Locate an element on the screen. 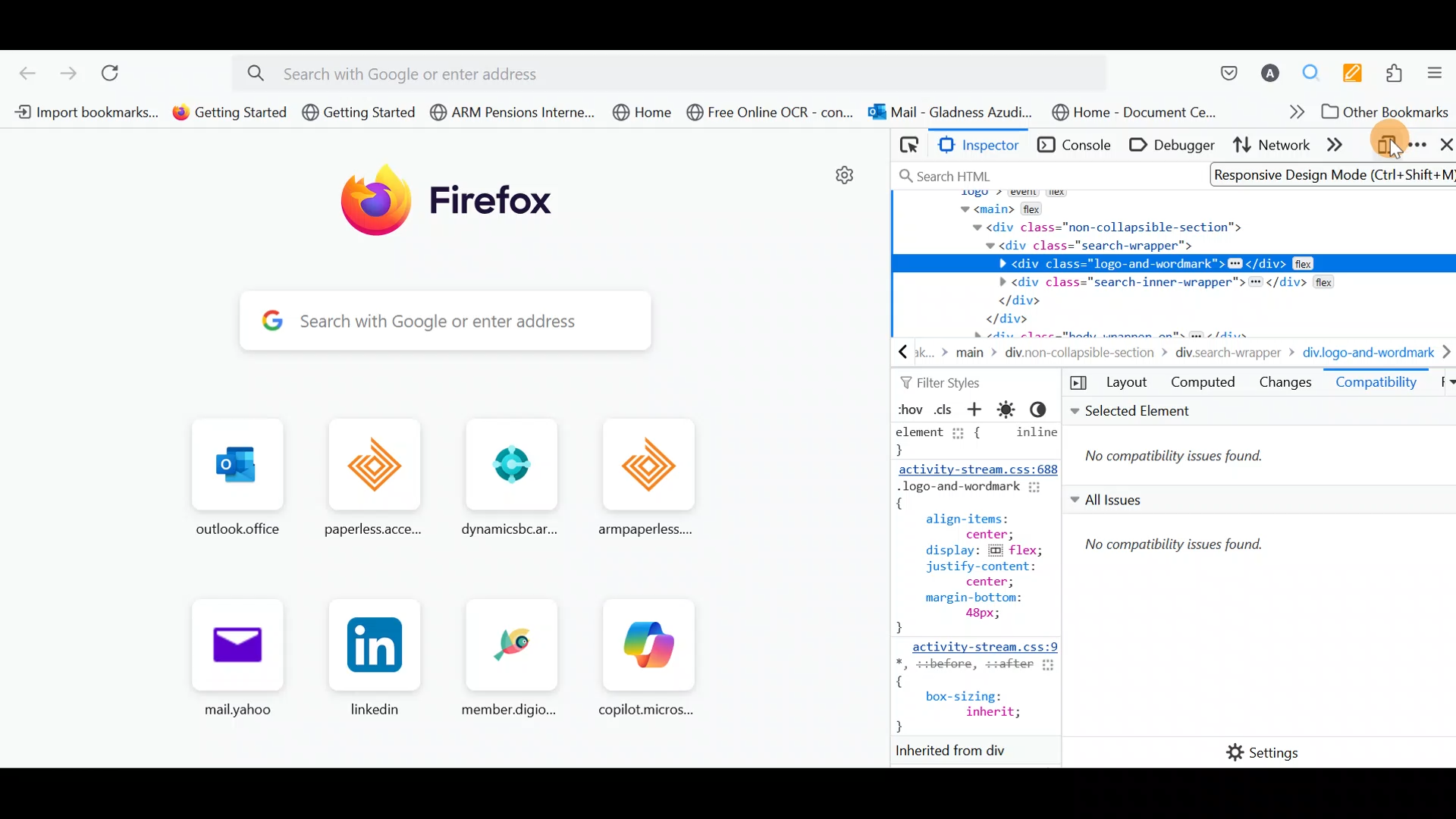 Image resolution: width=1456 pixels, height=819 pixels. Bookmark 4 is located at coordinates (507, 111).